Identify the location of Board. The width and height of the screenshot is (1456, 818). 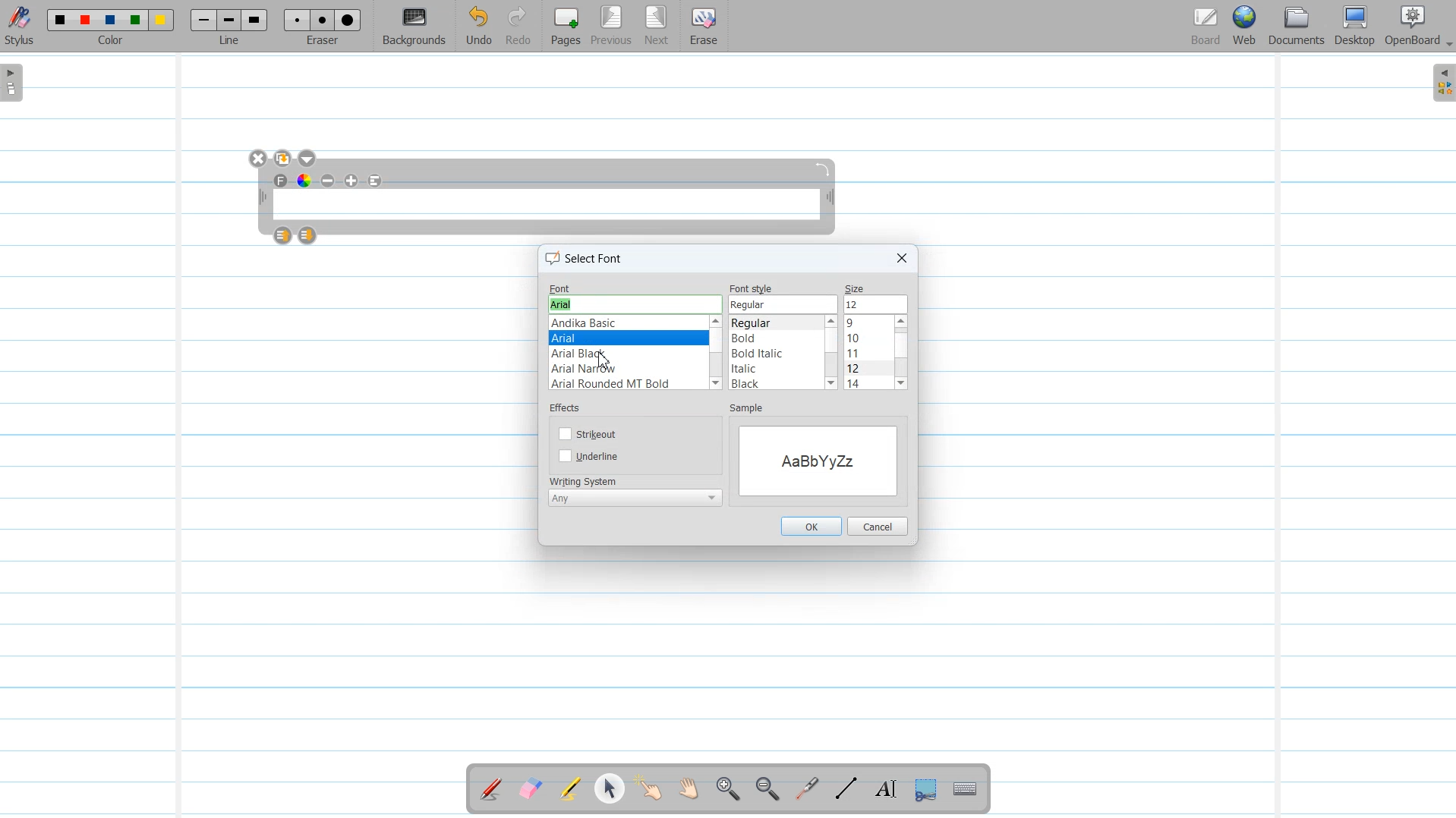
(1205, 27).